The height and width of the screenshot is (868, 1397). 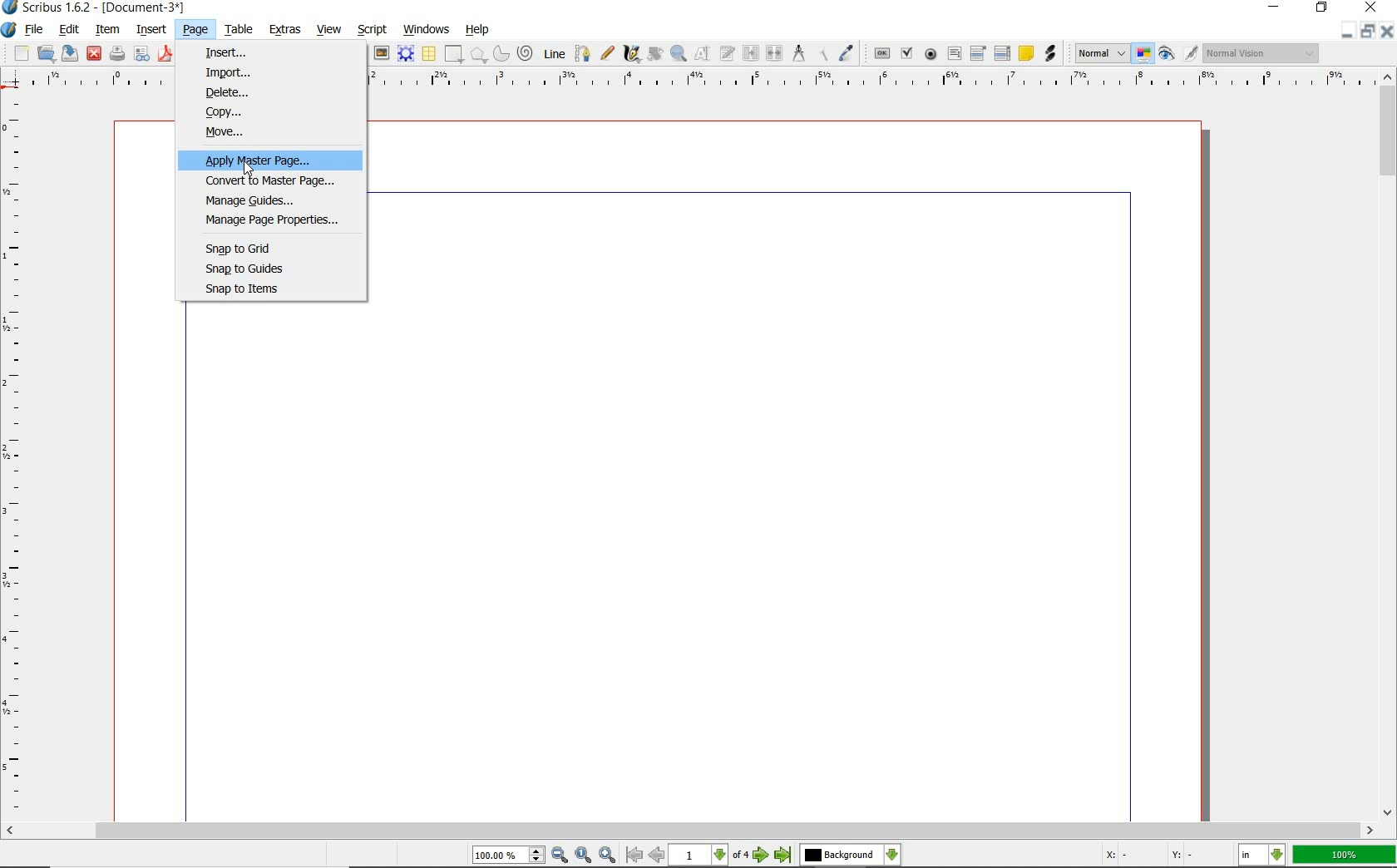 I want to click on view, so click(x=329, y=29).